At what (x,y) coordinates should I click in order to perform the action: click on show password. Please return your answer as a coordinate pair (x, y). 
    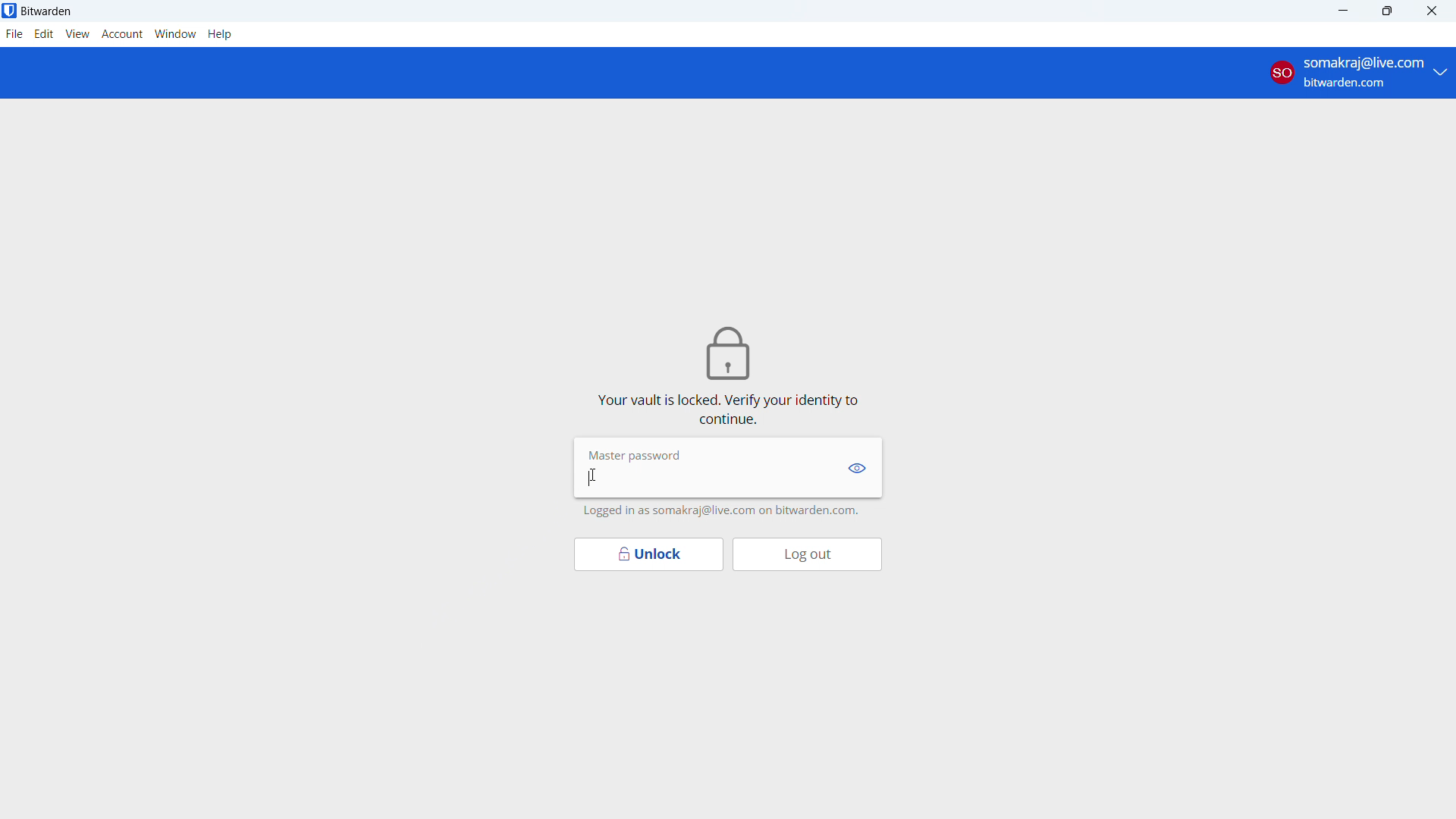
    Looking at the image, I should click on (858, 467).